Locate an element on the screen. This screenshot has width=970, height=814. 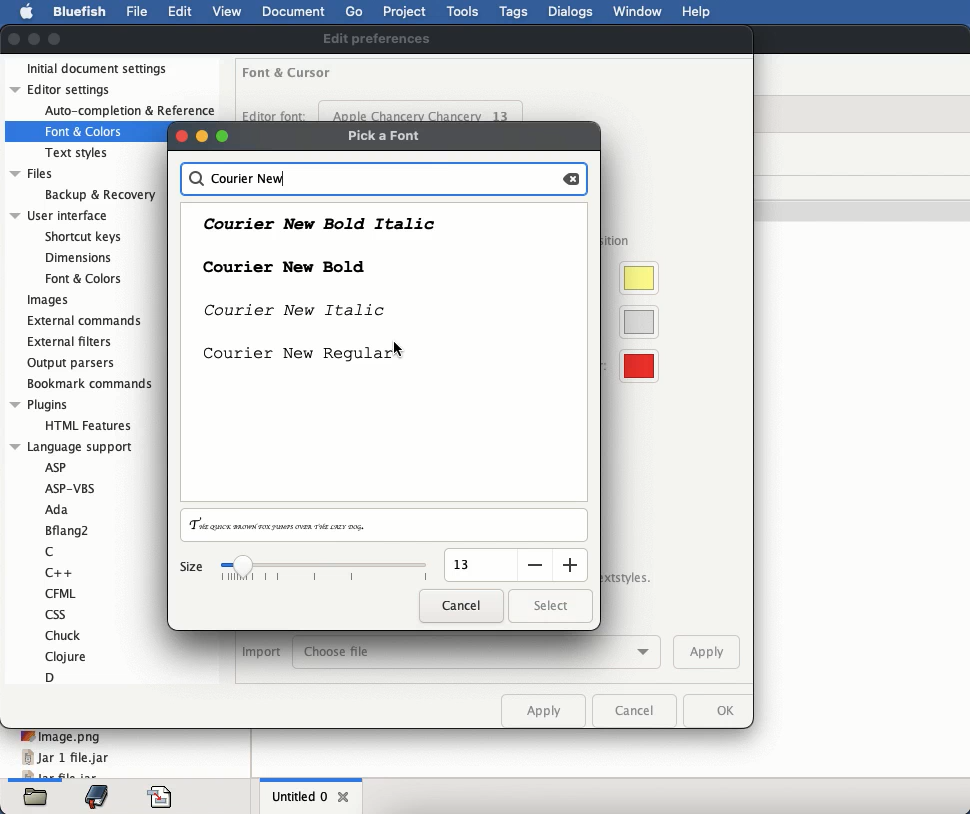
document is located at coordinates (295, 14).